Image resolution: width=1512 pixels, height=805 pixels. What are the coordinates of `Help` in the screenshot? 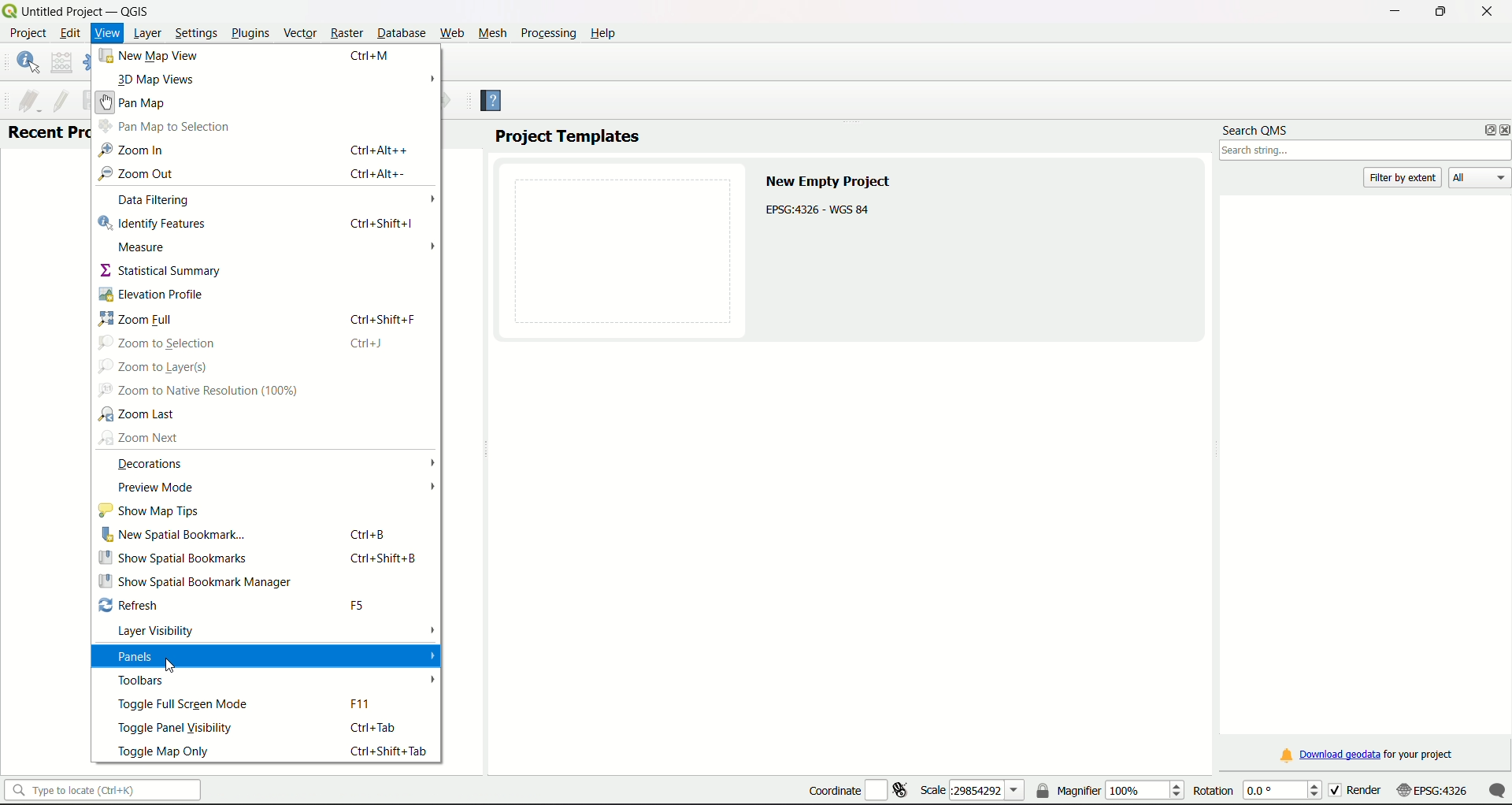 It's located at (603, 33).